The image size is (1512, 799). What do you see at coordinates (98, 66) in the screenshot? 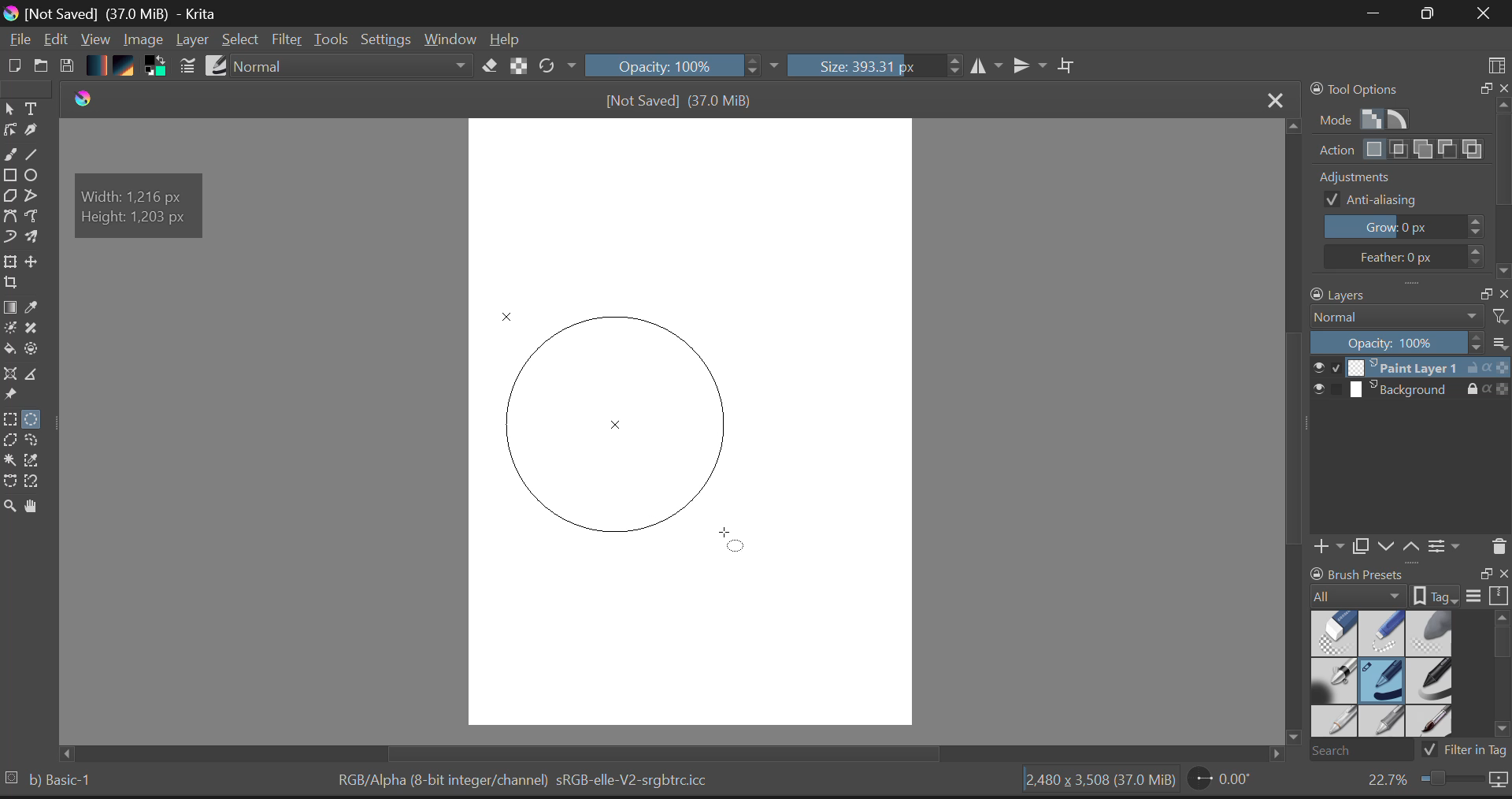
I see `Gradient` at bounding box center [98, 66].